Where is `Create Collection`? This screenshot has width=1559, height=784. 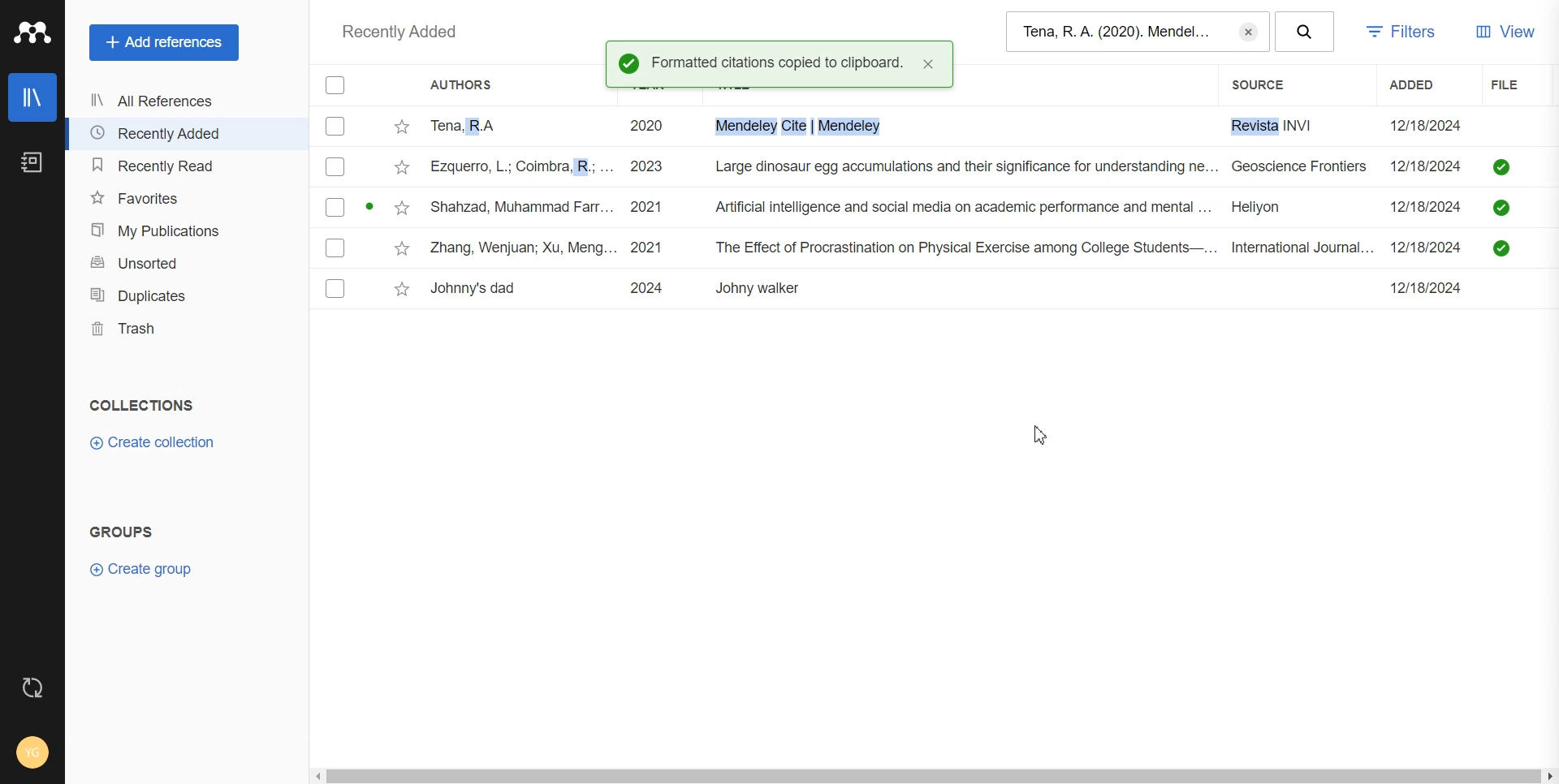 Create Collection is located at coordinates (153, 443).